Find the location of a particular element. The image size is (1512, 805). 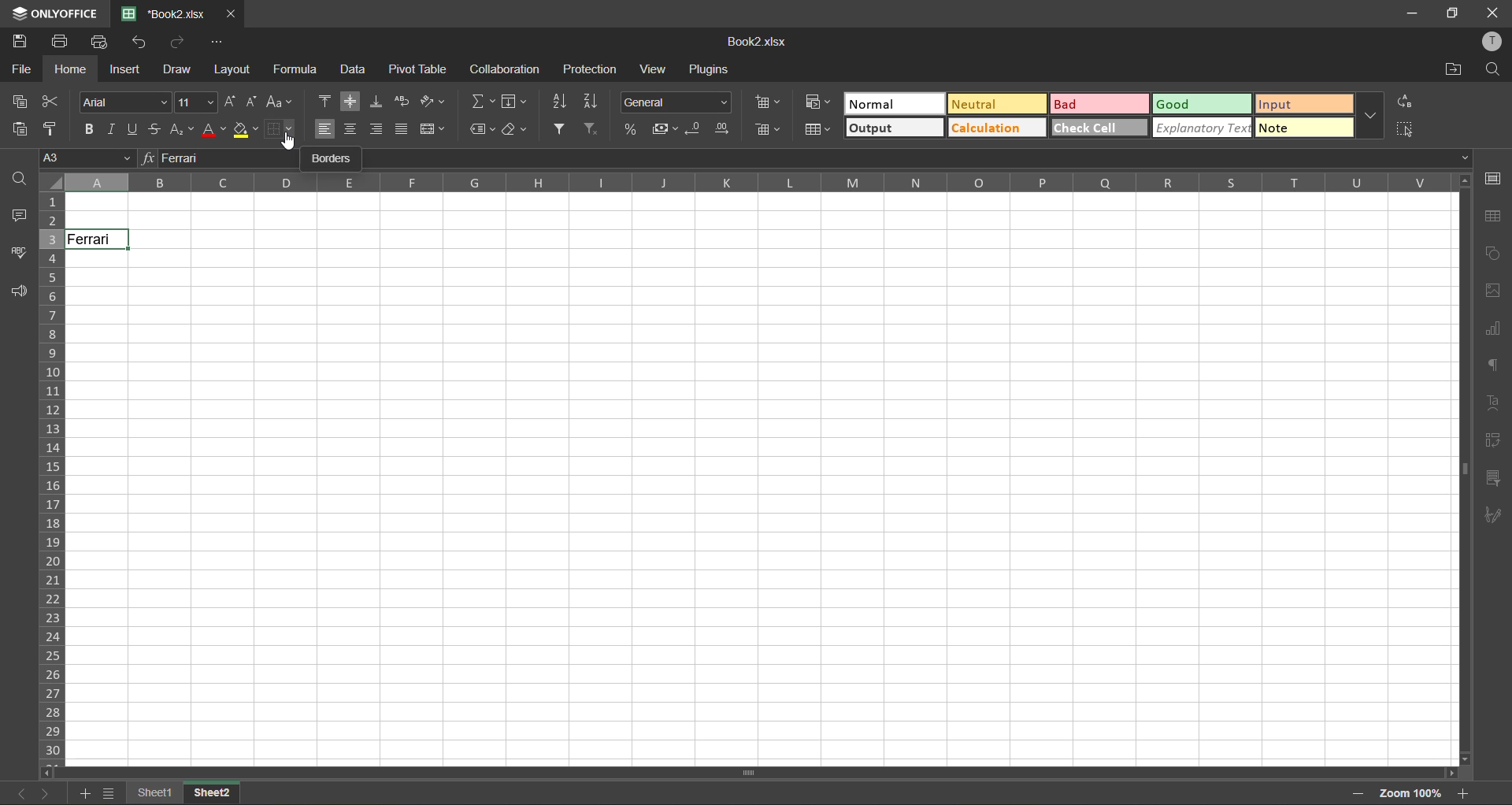

pivot table is located at coordinates (1494, 440).